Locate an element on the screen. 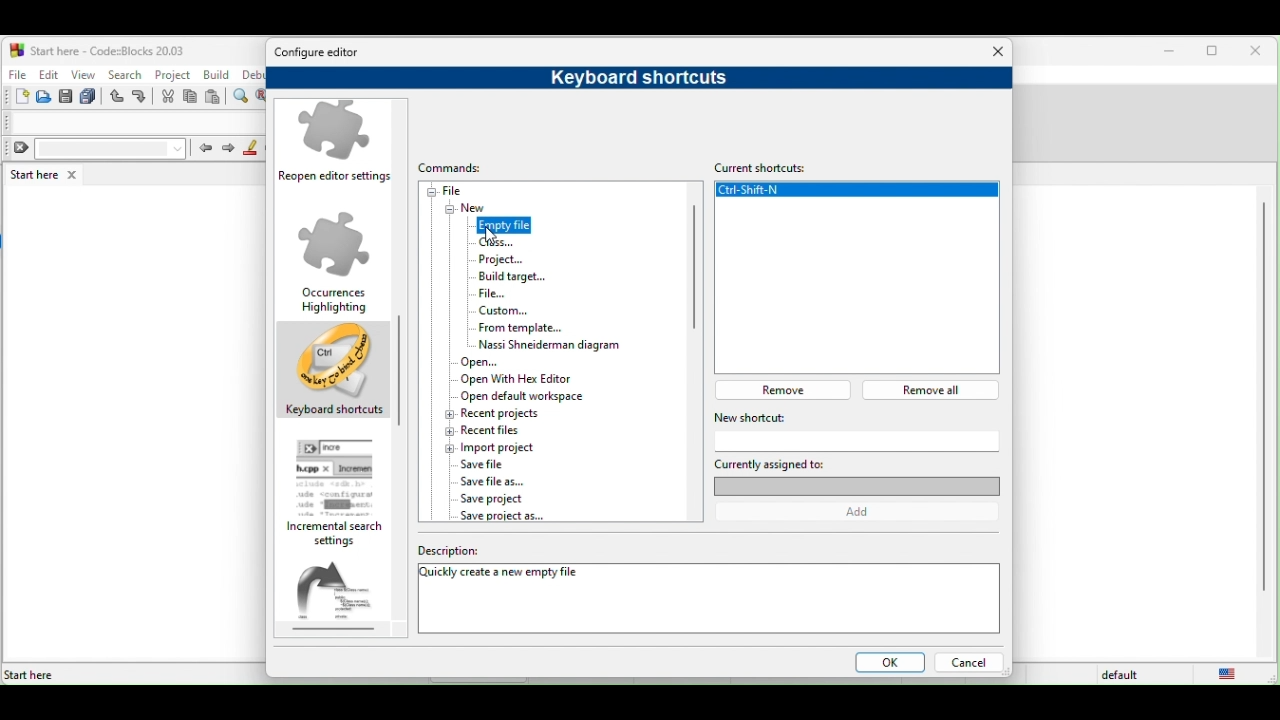 The image size is (1280, 720). ok is located at coordinates (886, 664).